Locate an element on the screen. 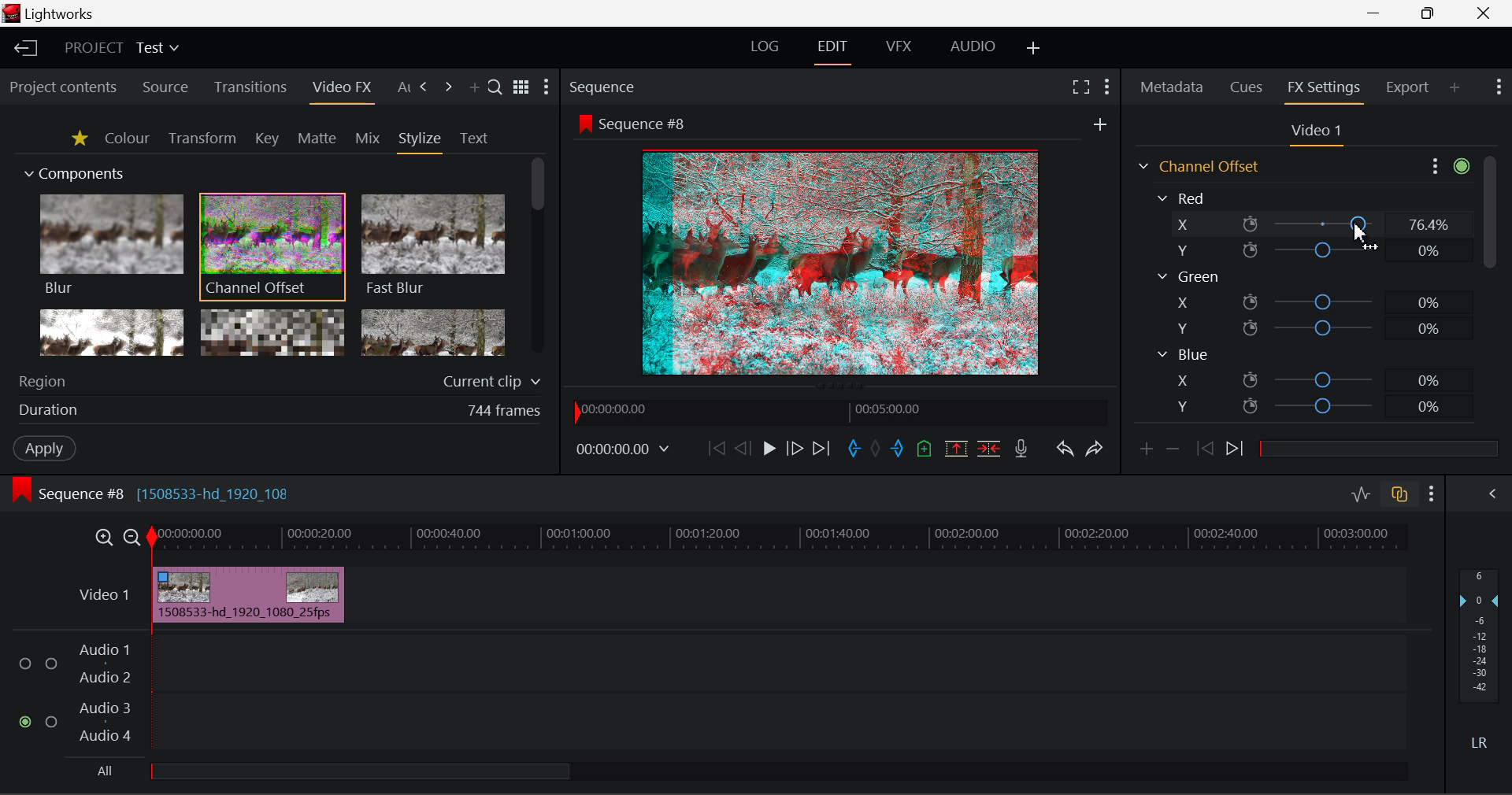 This screenshot has height=795, width=1512. Sequence Editing Level is located at coordinates (63, 494).